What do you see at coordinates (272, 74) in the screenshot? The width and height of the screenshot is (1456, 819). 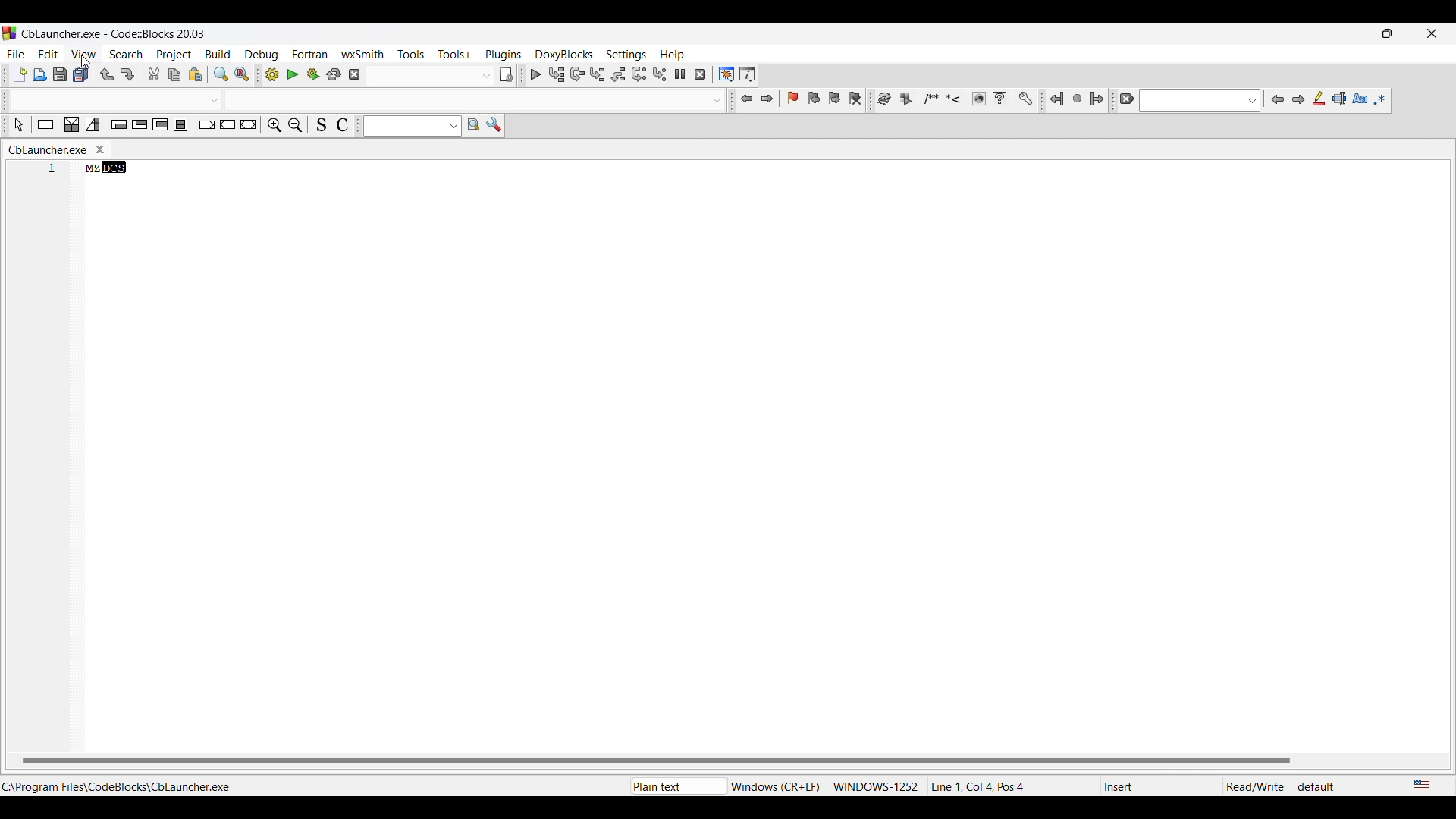 I see `Build` at bounding box center [272, 74].